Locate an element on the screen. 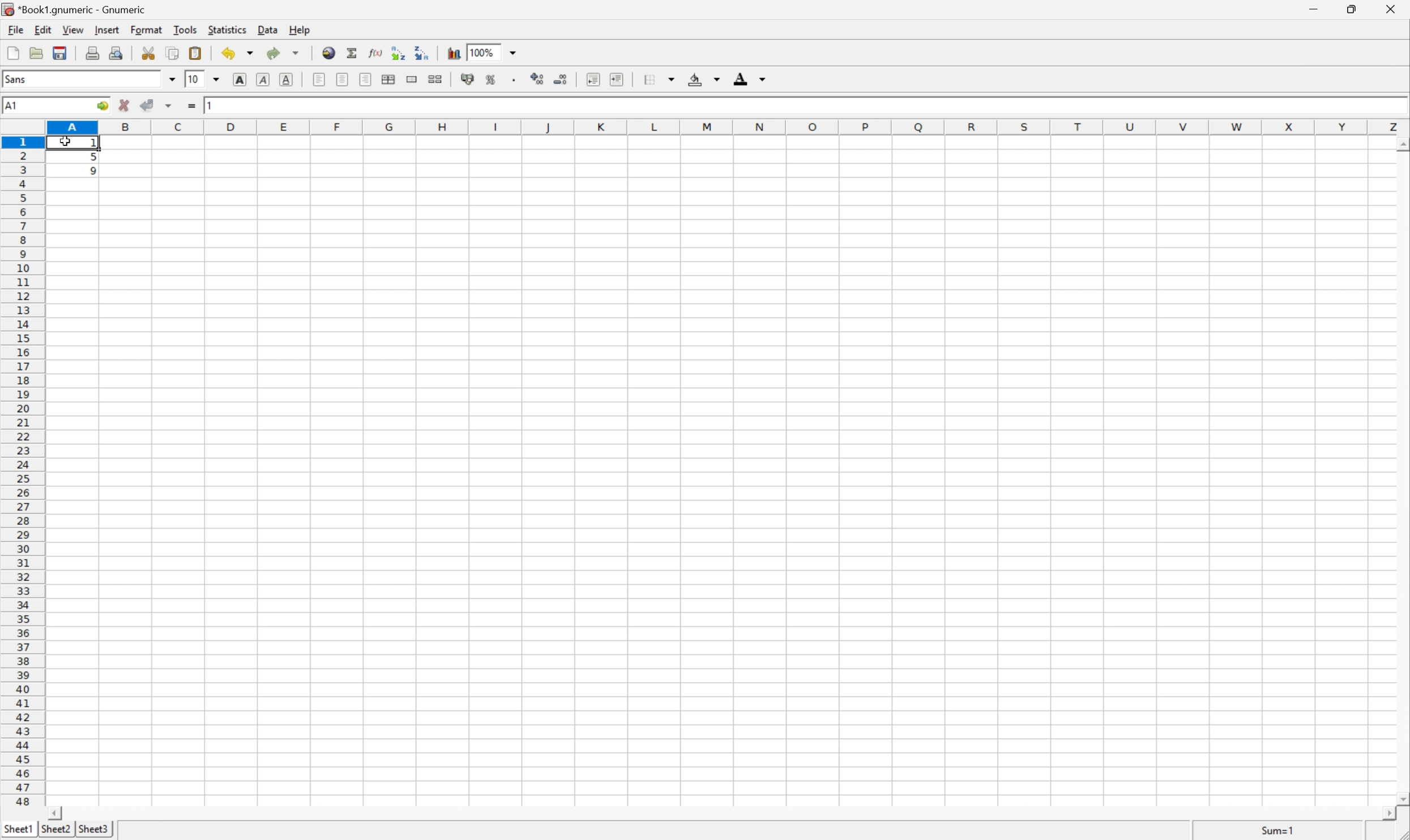 The width and height of the screenshot is (1410, 840). accept changes is located at coordinates (148, 104).